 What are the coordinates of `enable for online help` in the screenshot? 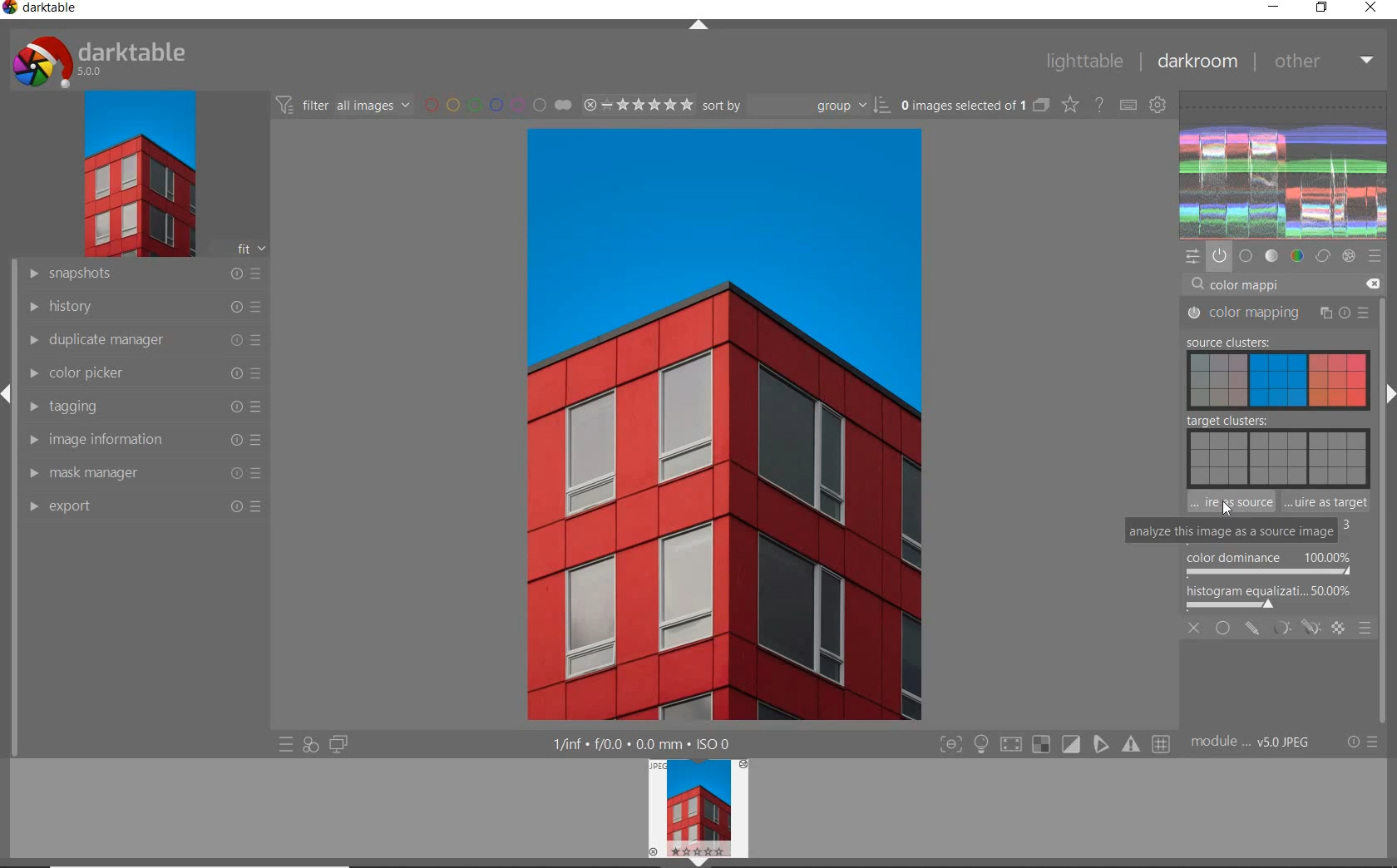 It's located at (1099, 104).